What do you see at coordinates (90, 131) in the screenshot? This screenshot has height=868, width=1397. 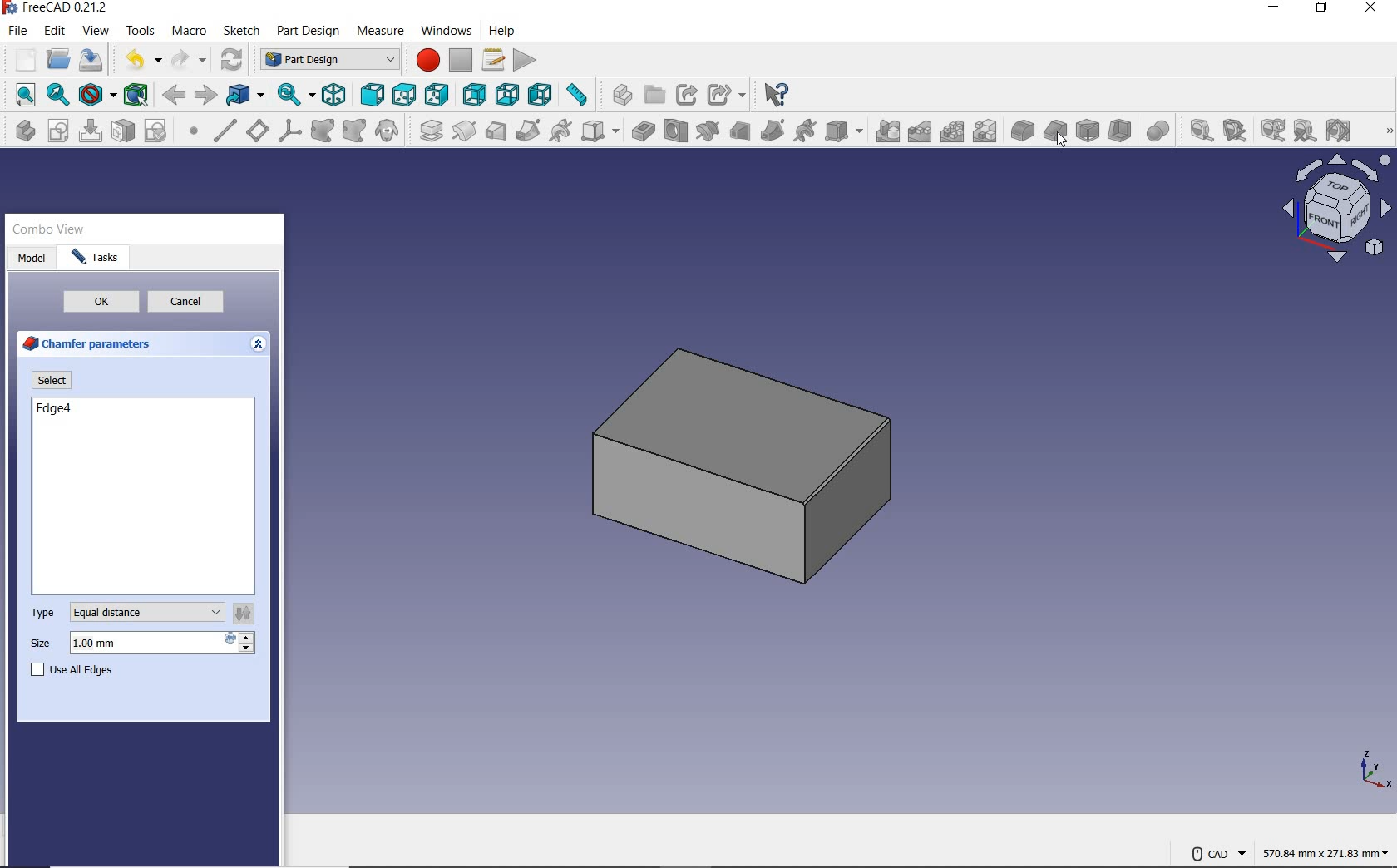 I see `edit sketch` at bounding box center [90, 131].